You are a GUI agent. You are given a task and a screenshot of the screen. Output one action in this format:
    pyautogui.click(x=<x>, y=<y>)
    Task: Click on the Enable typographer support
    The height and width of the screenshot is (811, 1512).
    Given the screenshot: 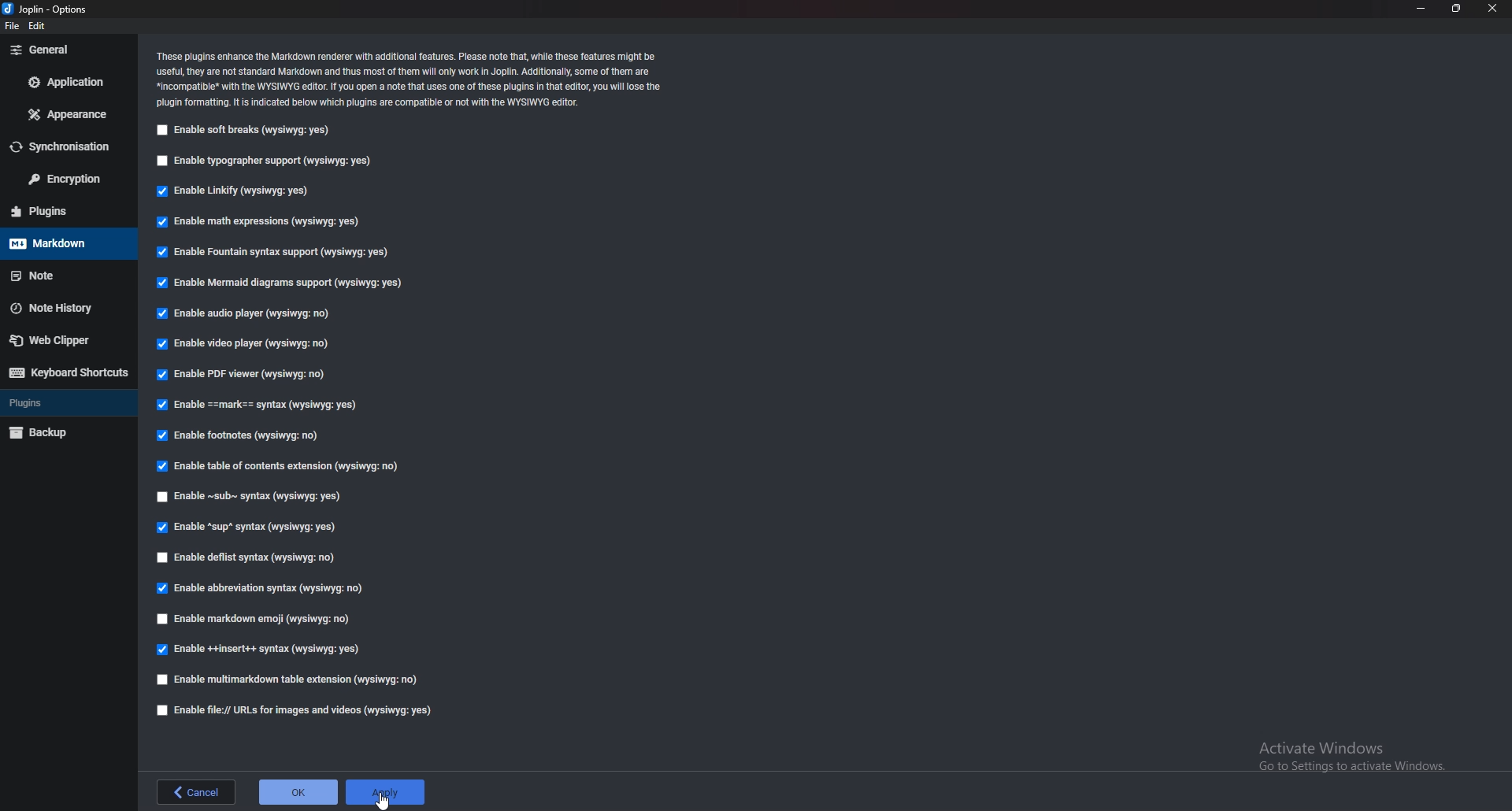 What is the action you would take?
    pyautogui.click(x=268, y=162)
    